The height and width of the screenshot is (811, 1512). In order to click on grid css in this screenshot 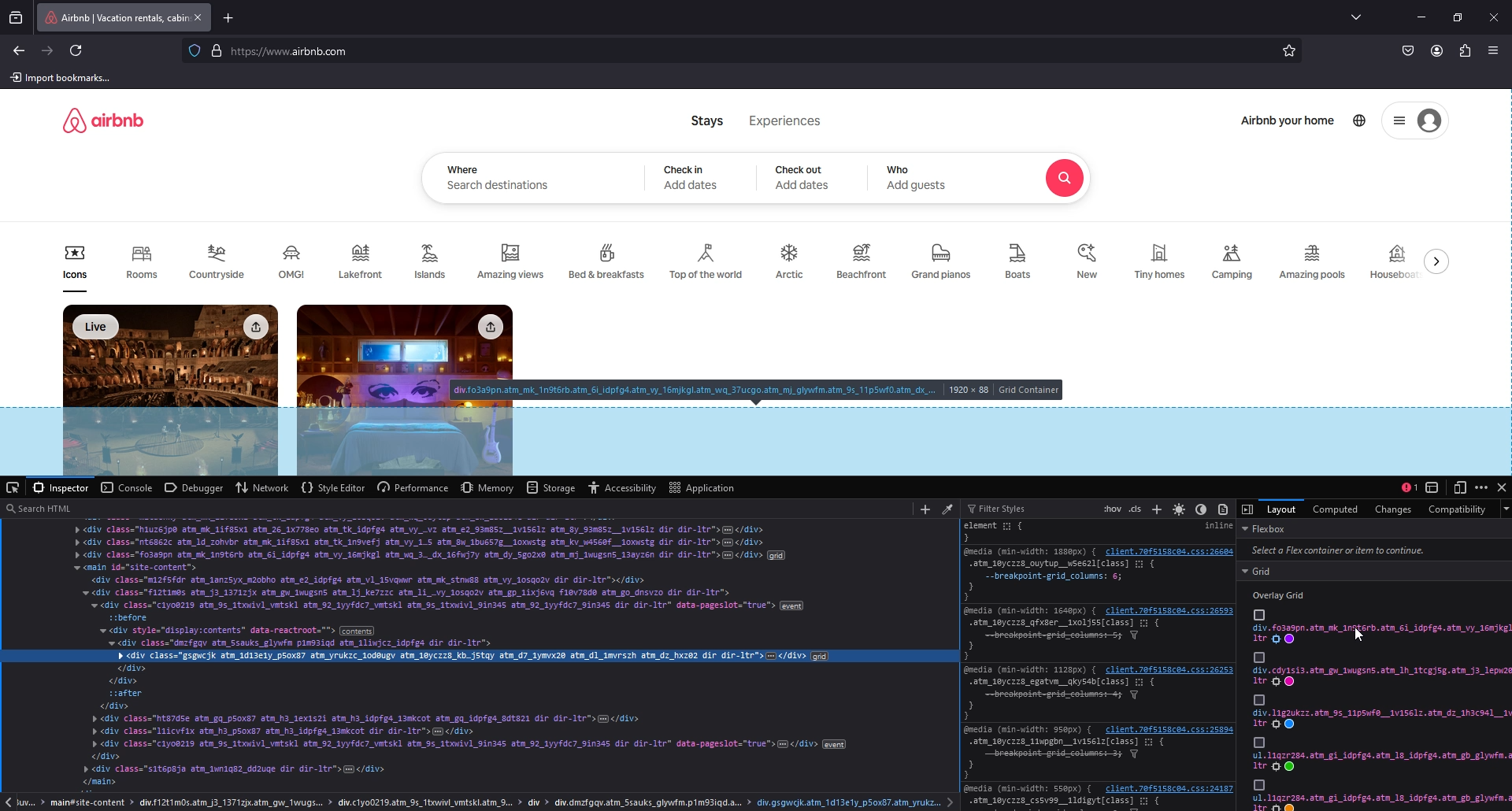, I will do `click(1380, 635)`.